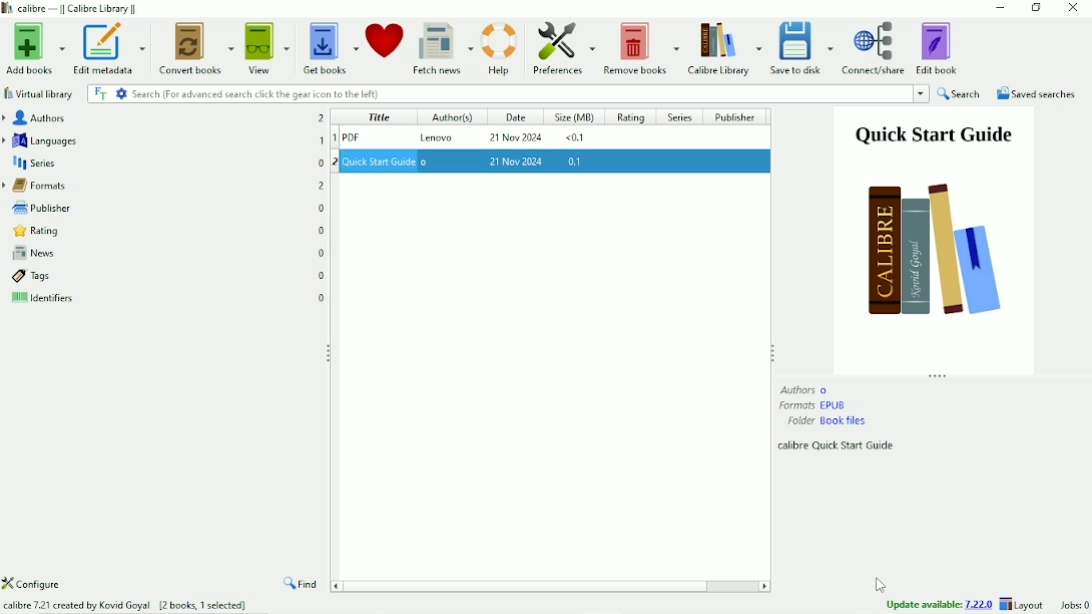 Image resolution: width=1092 pixels, height=614 pixels. Describe the element at coordinates (680, 118) in the screenshot. I see `Series` at that location.